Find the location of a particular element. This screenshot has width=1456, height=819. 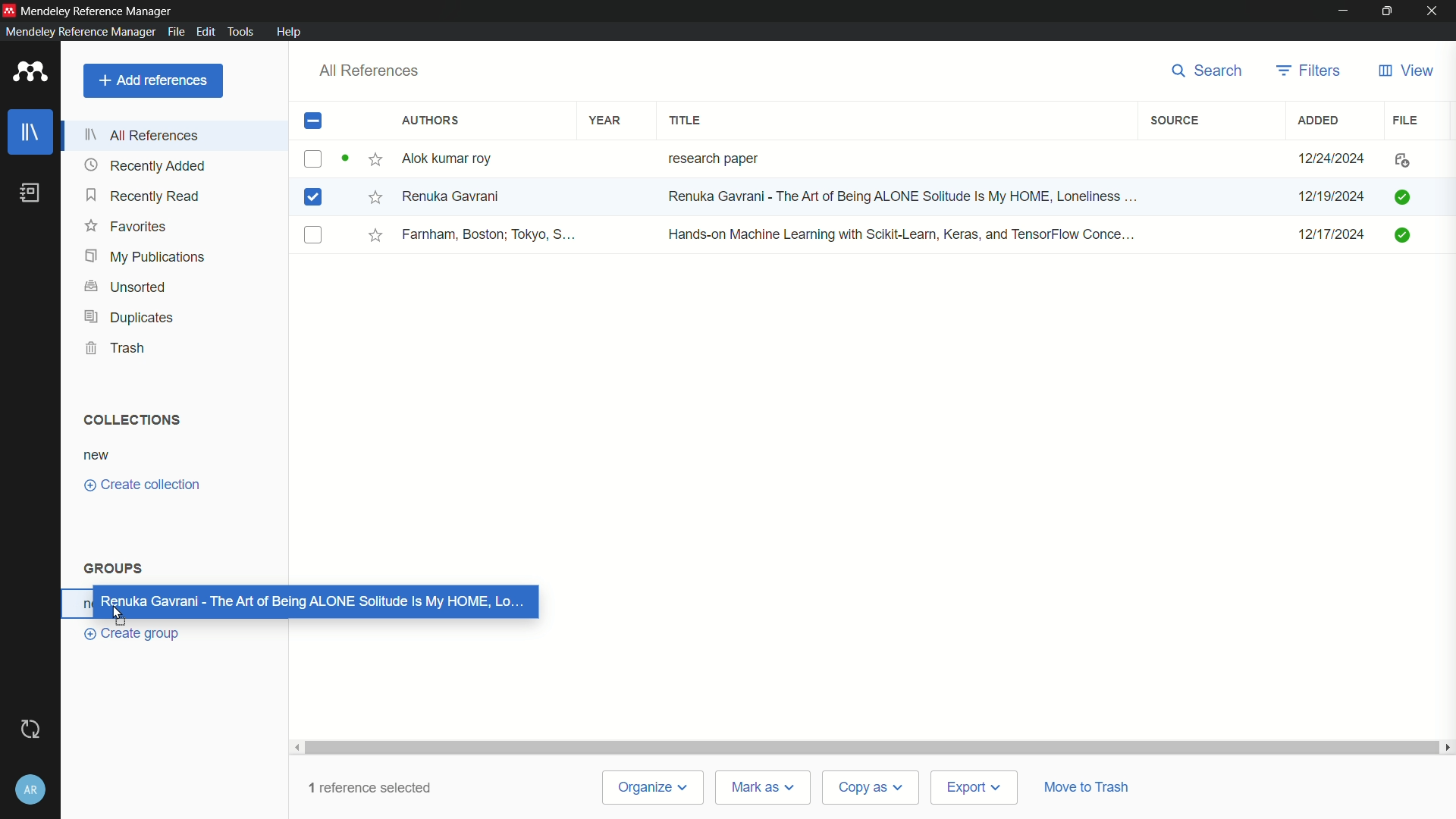

sync is located at coordinates (29, 730).